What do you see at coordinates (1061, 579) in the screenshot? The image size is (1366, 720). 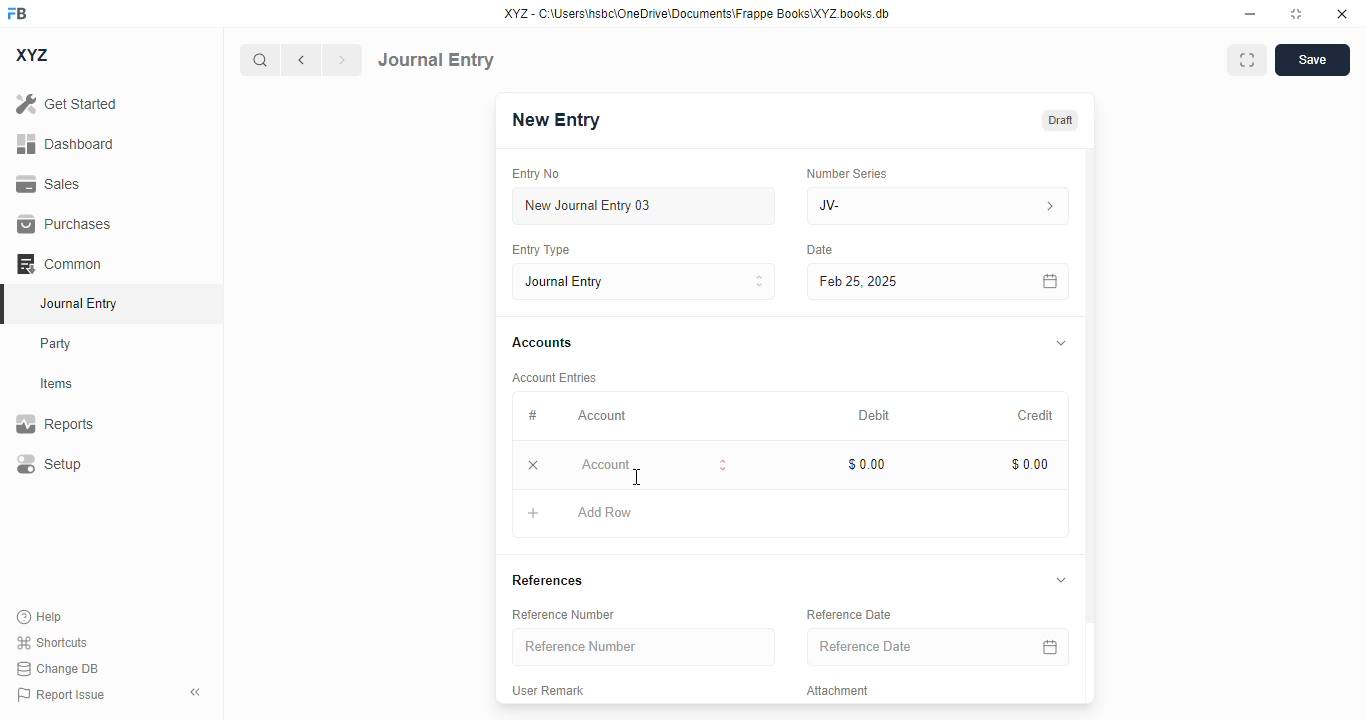 I see `toggle expand/collapse` at bounding box center [1061, 579].